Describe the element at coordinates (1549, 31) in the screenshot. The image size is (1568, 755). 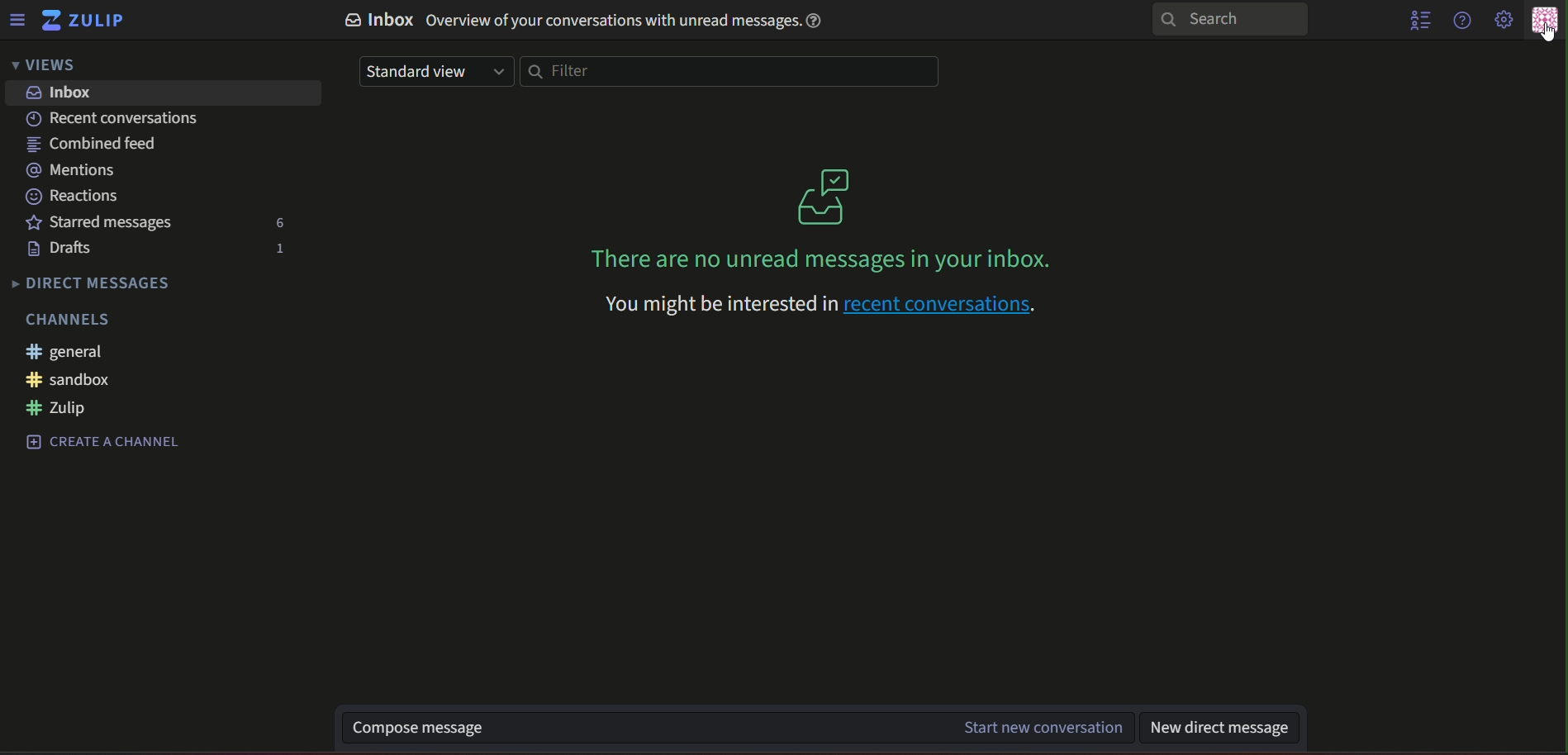
I see `cursor` at that location.